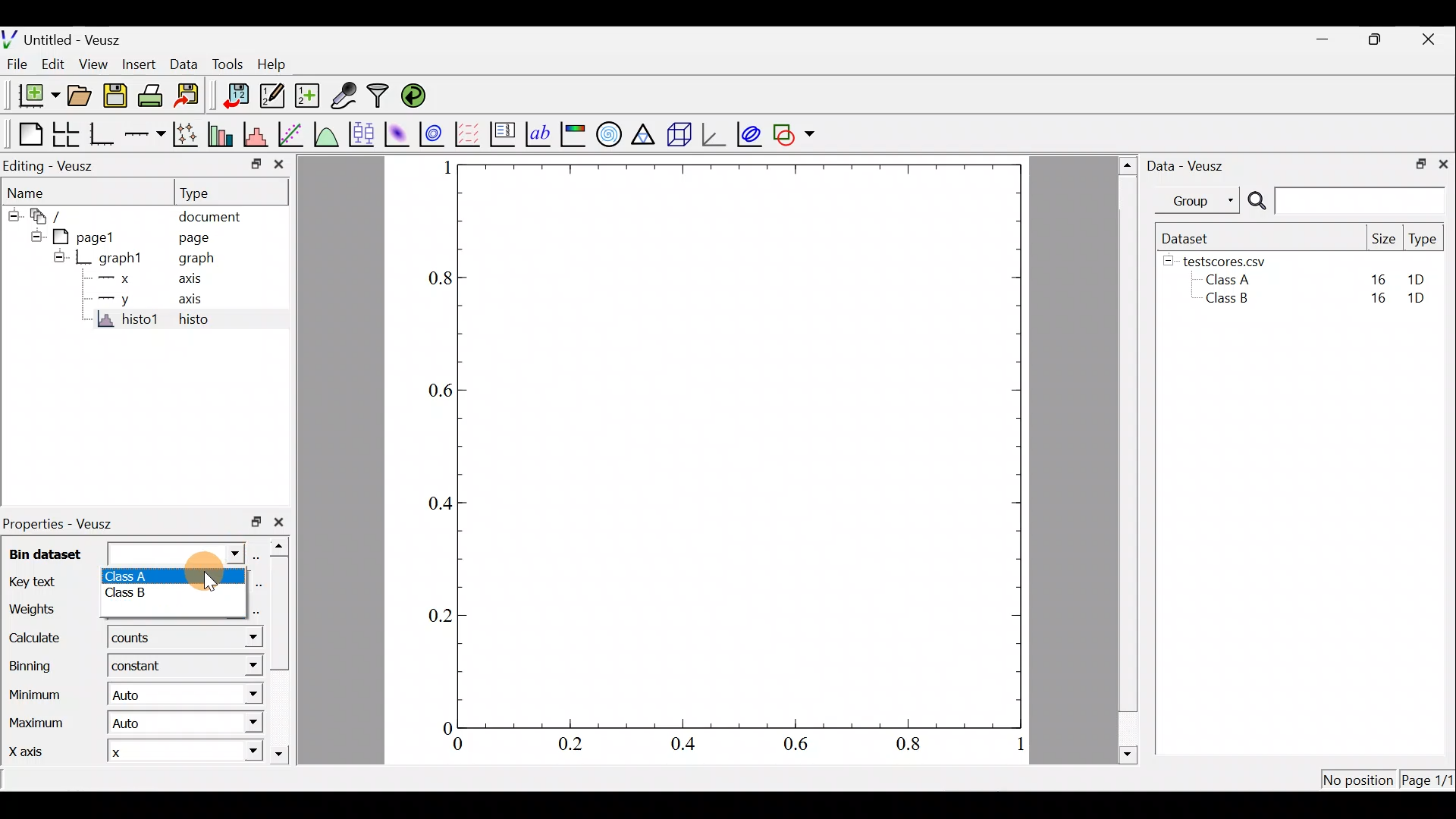 The width and height of the screenshot is (1456, 819). What do you see at coordinates (194, 320) in the screenshot?
I see `histo` at bounding box center [194, 320].